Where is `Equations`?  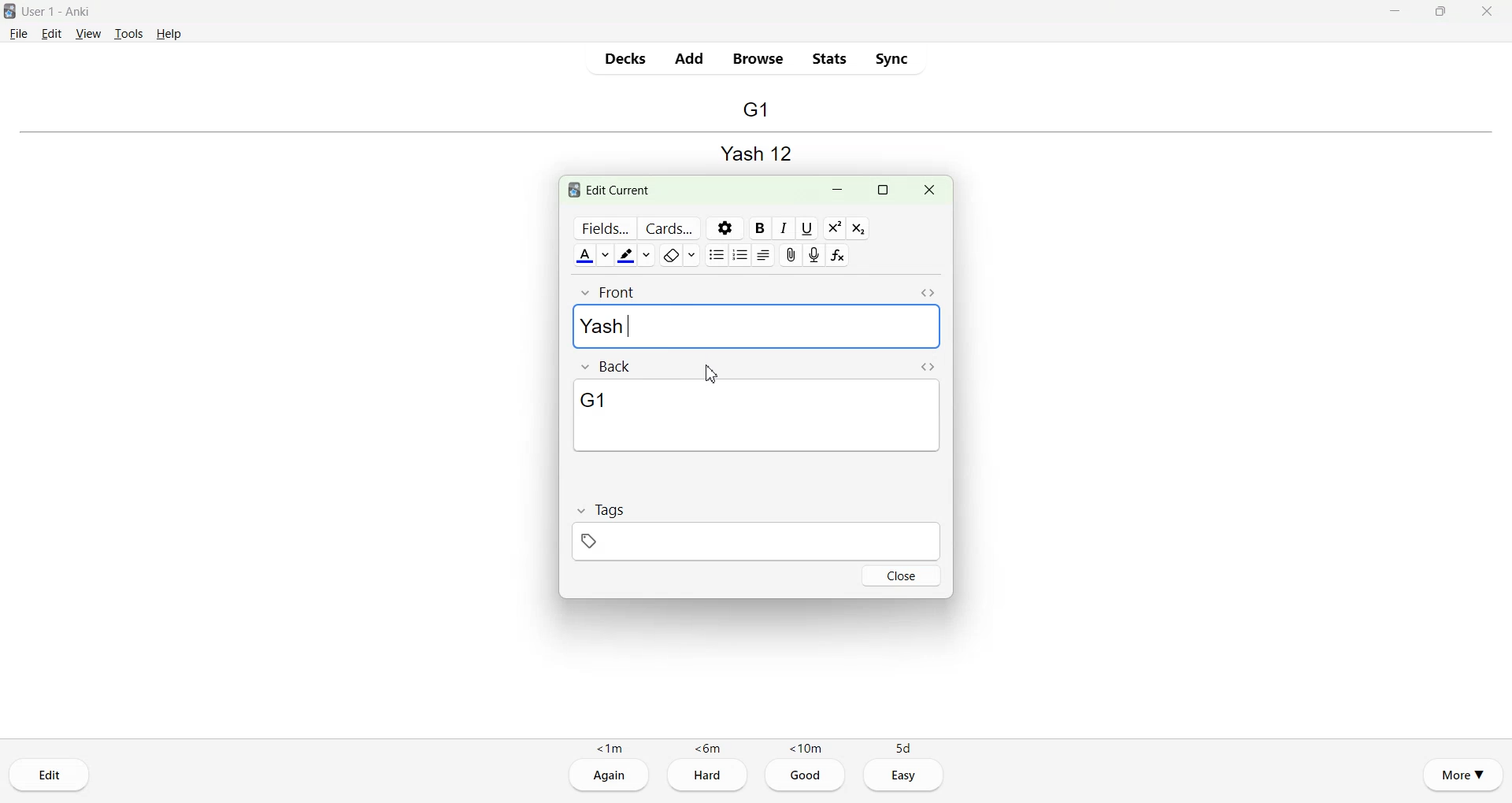 Equations is located at coordinates (839, 255).